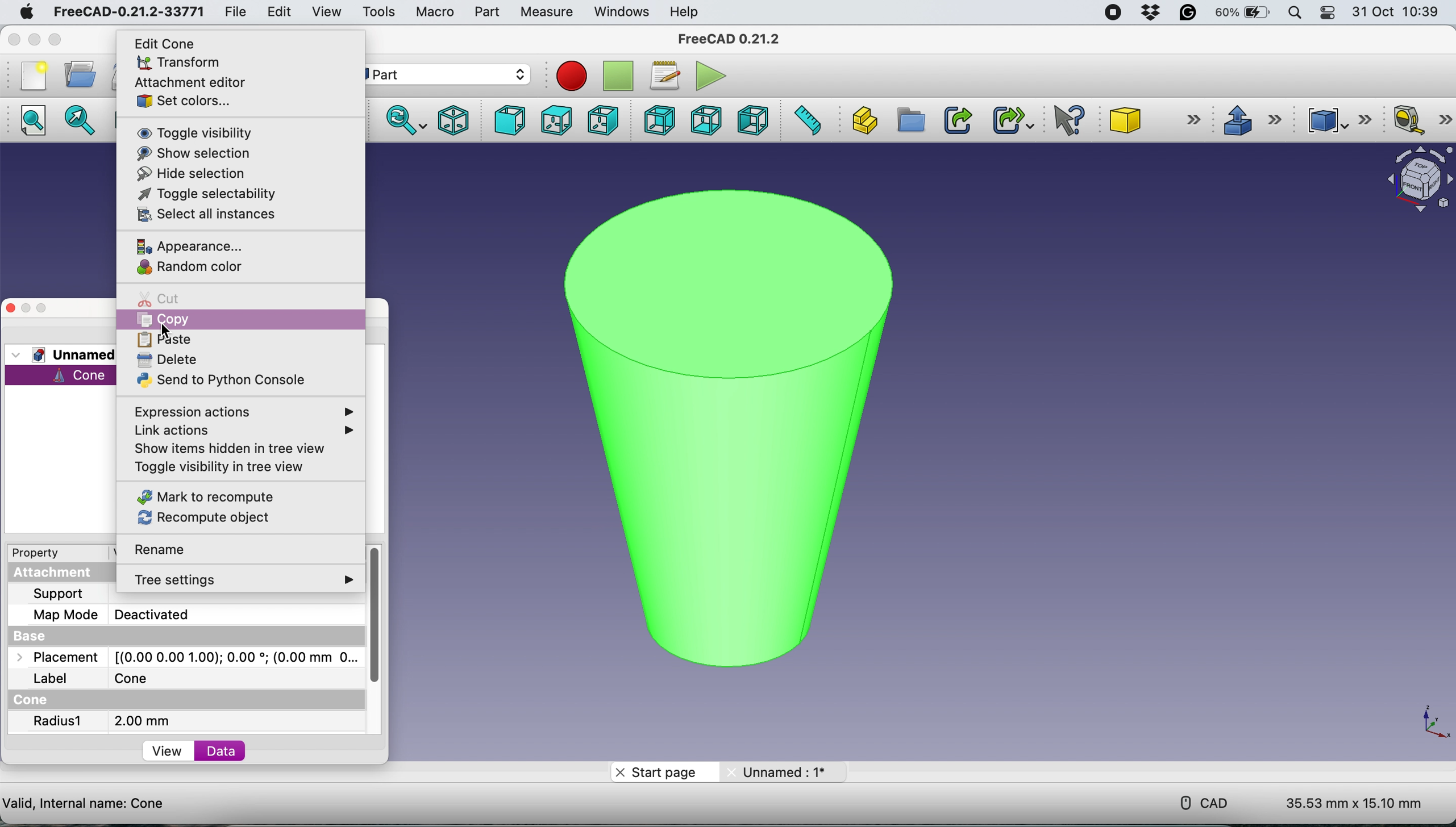 This screenshot has width=1456, height=827. What do you see at coordinates (44, 554) in the screenshot?
I see `property` at bounding box center [44, 554].